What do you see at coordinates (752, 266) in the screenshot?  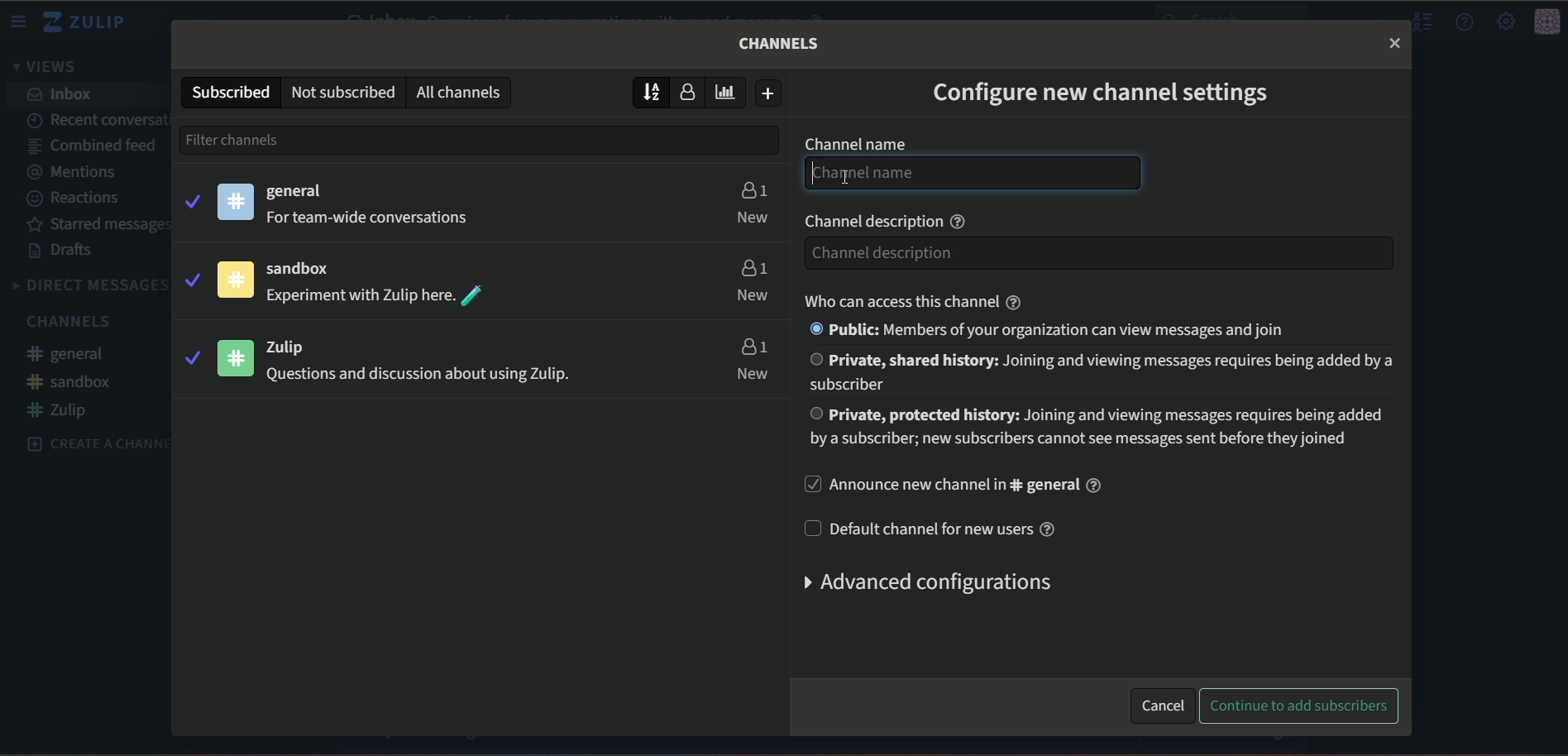 I see `users` at bounding box center [752, 266].